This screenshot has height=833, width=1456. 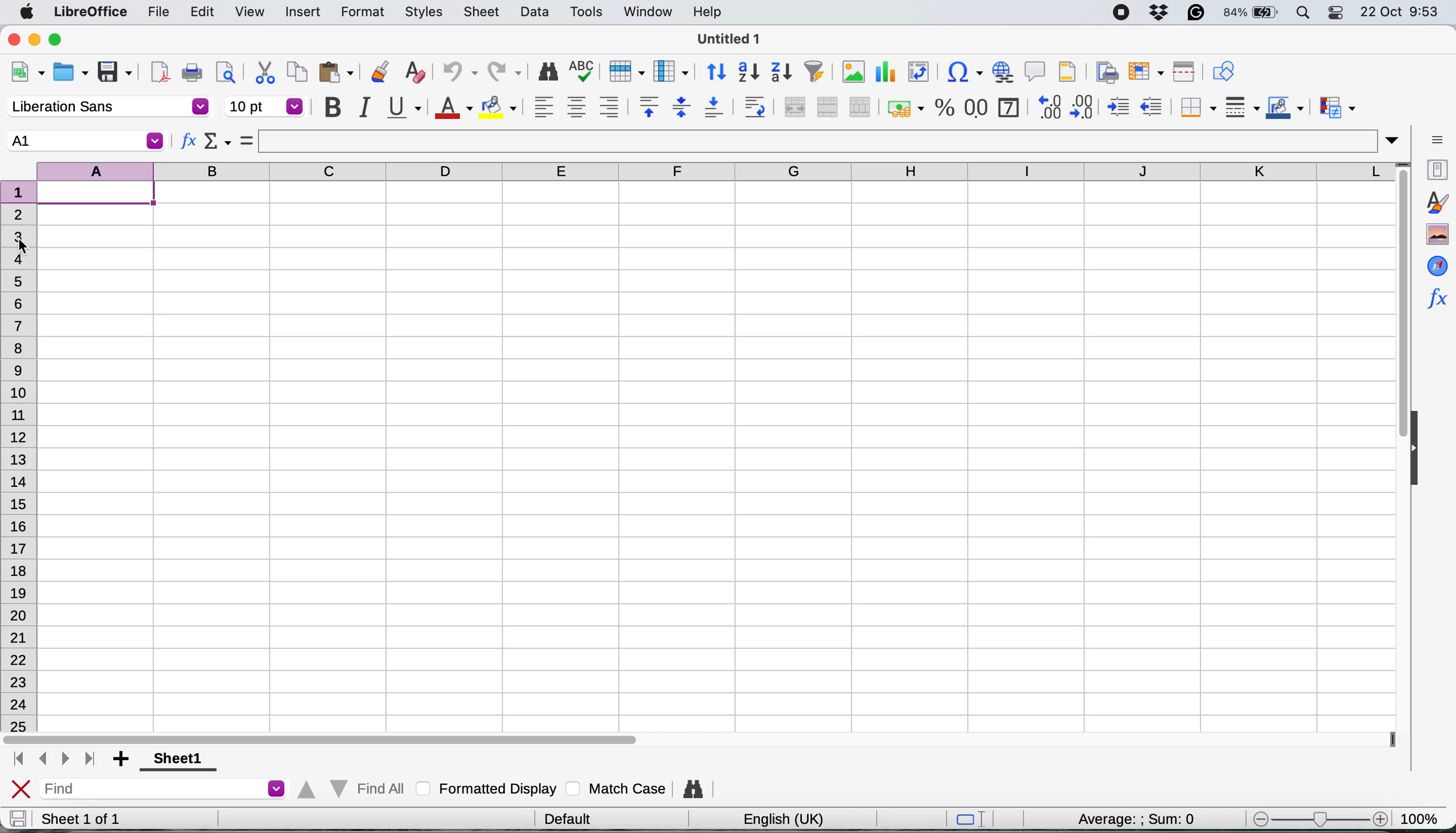 I want to click on save, so click(x=18, y=818).